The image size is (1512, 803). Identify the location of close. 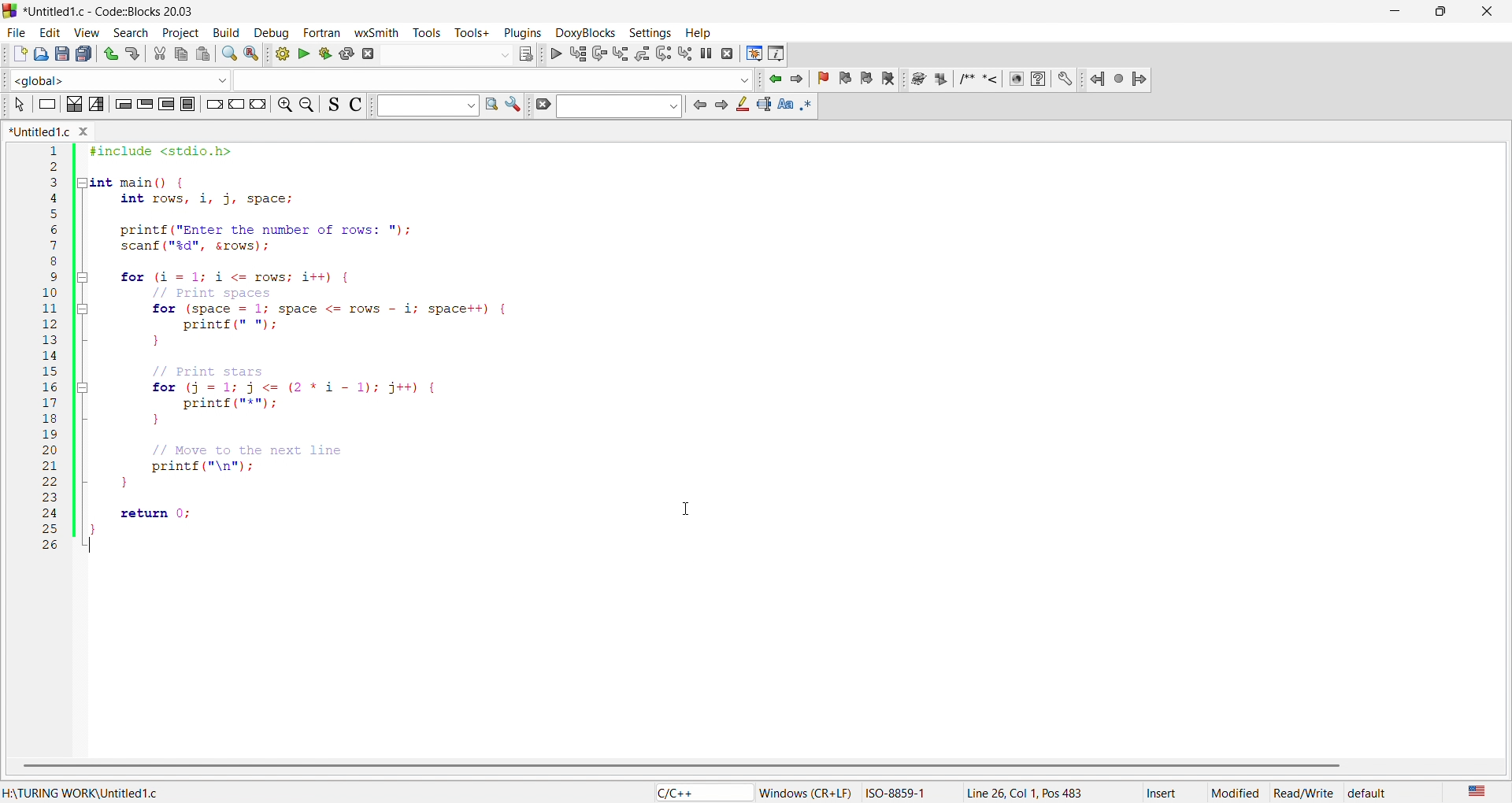
(1489, 9).